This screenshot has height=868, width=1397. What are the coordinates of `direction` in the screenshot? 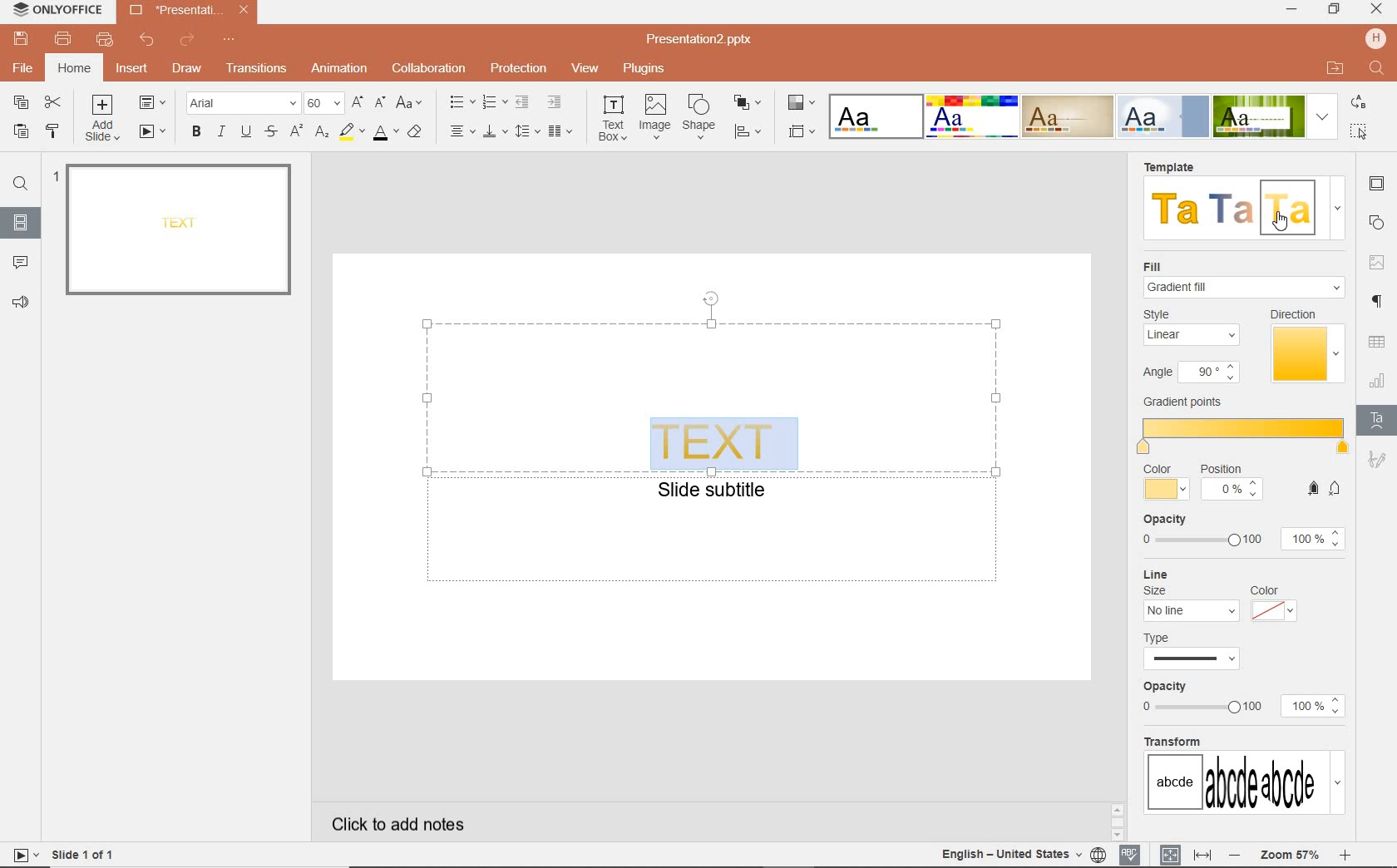 It's located at (1308, 348).